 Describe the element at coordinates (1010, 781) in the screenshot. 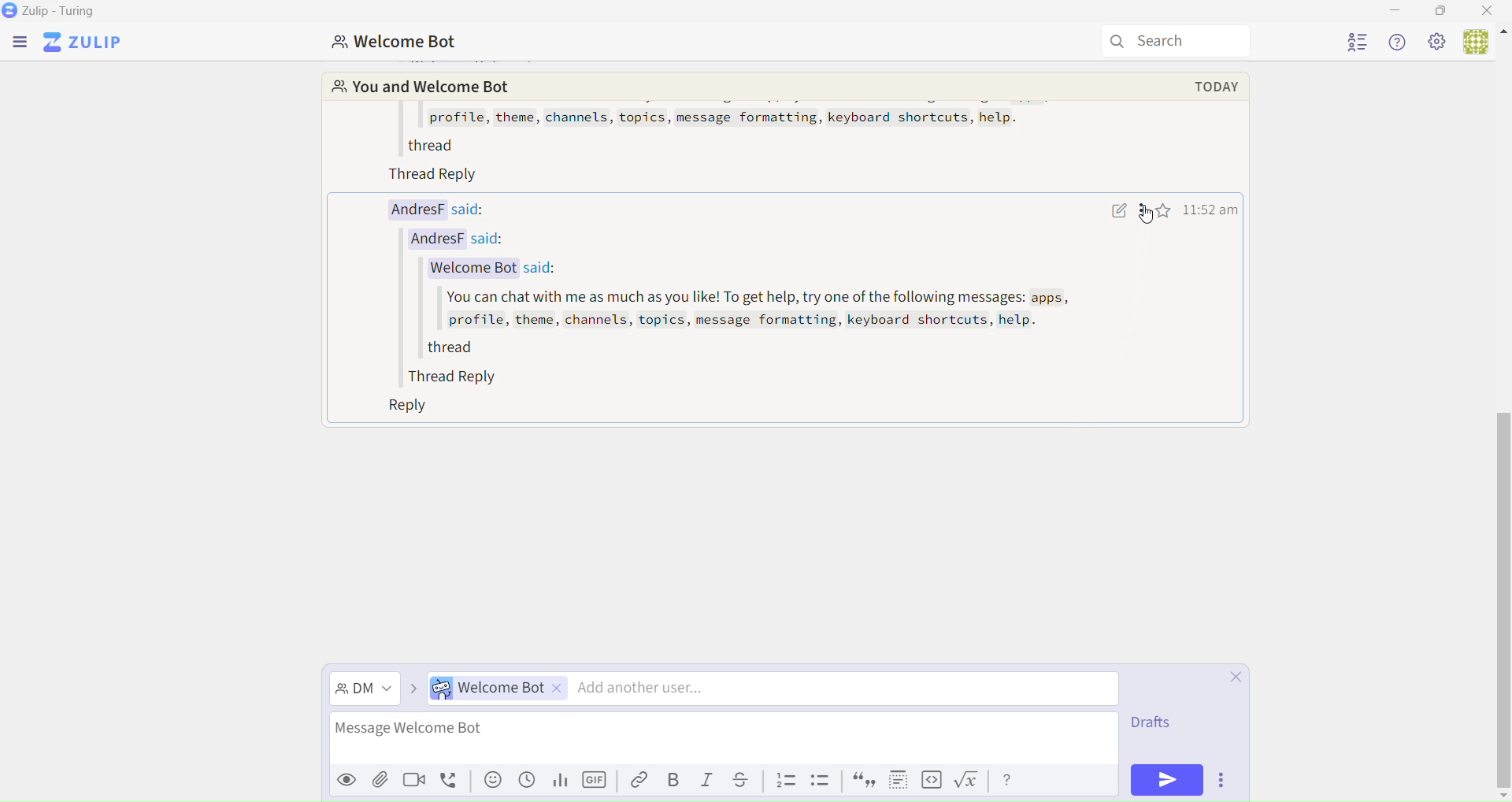

I see `help` at that location.